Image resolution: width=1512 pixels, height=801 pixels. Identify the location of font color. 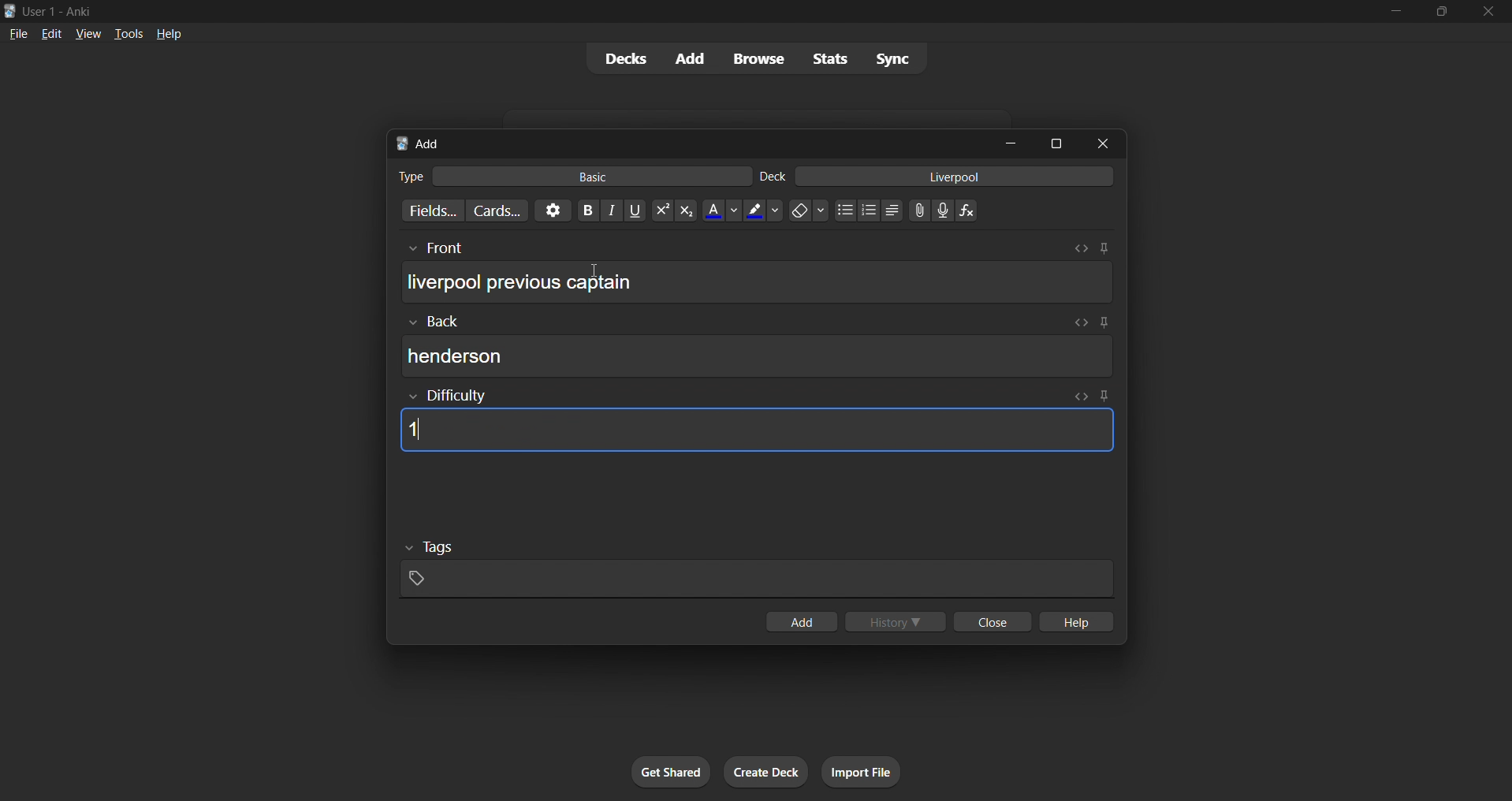
(717, 209).